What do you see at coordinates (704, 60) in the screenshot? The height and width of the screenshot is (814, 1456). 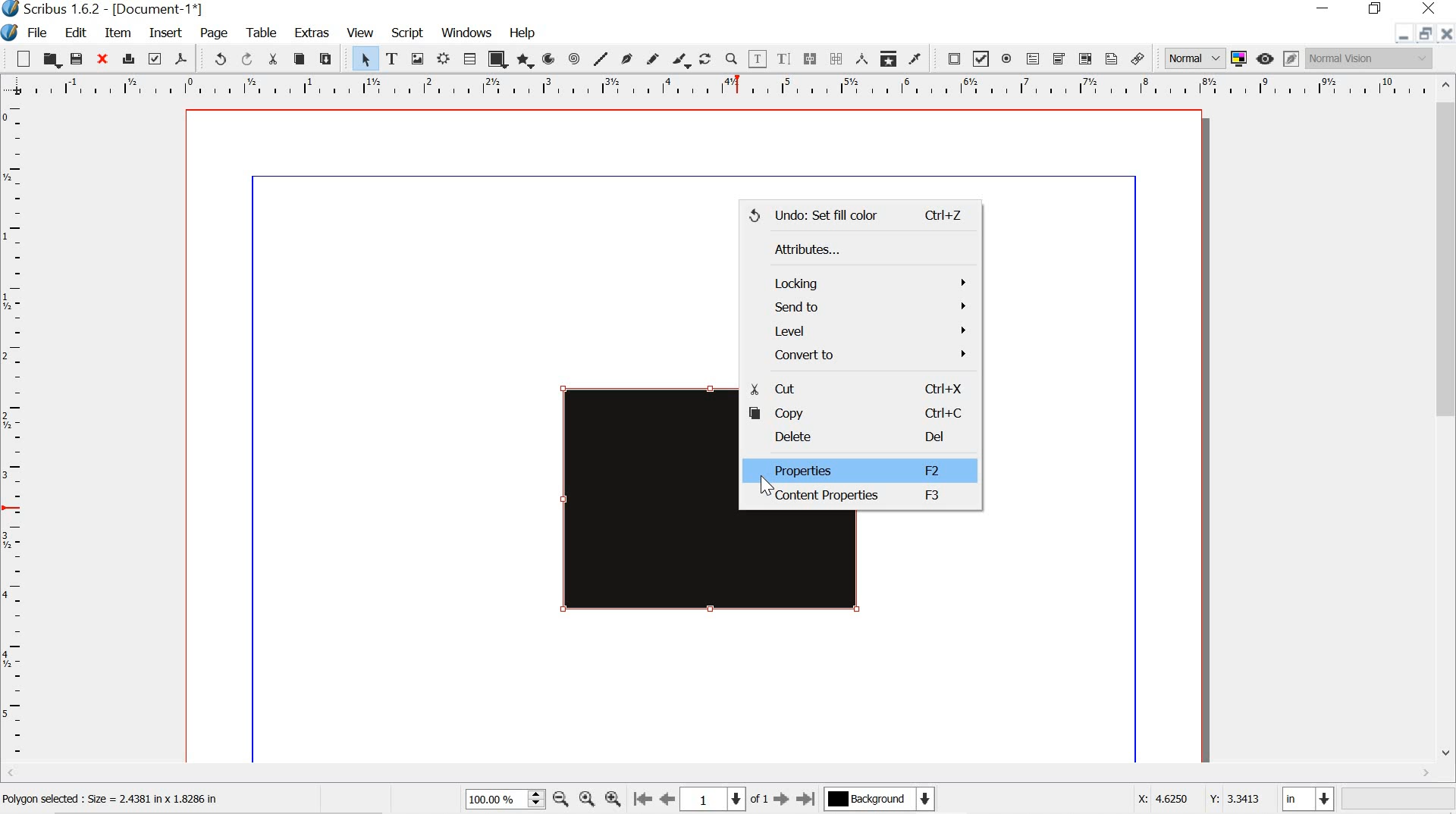 I see `rotate item` at bounding box center [704, 60].